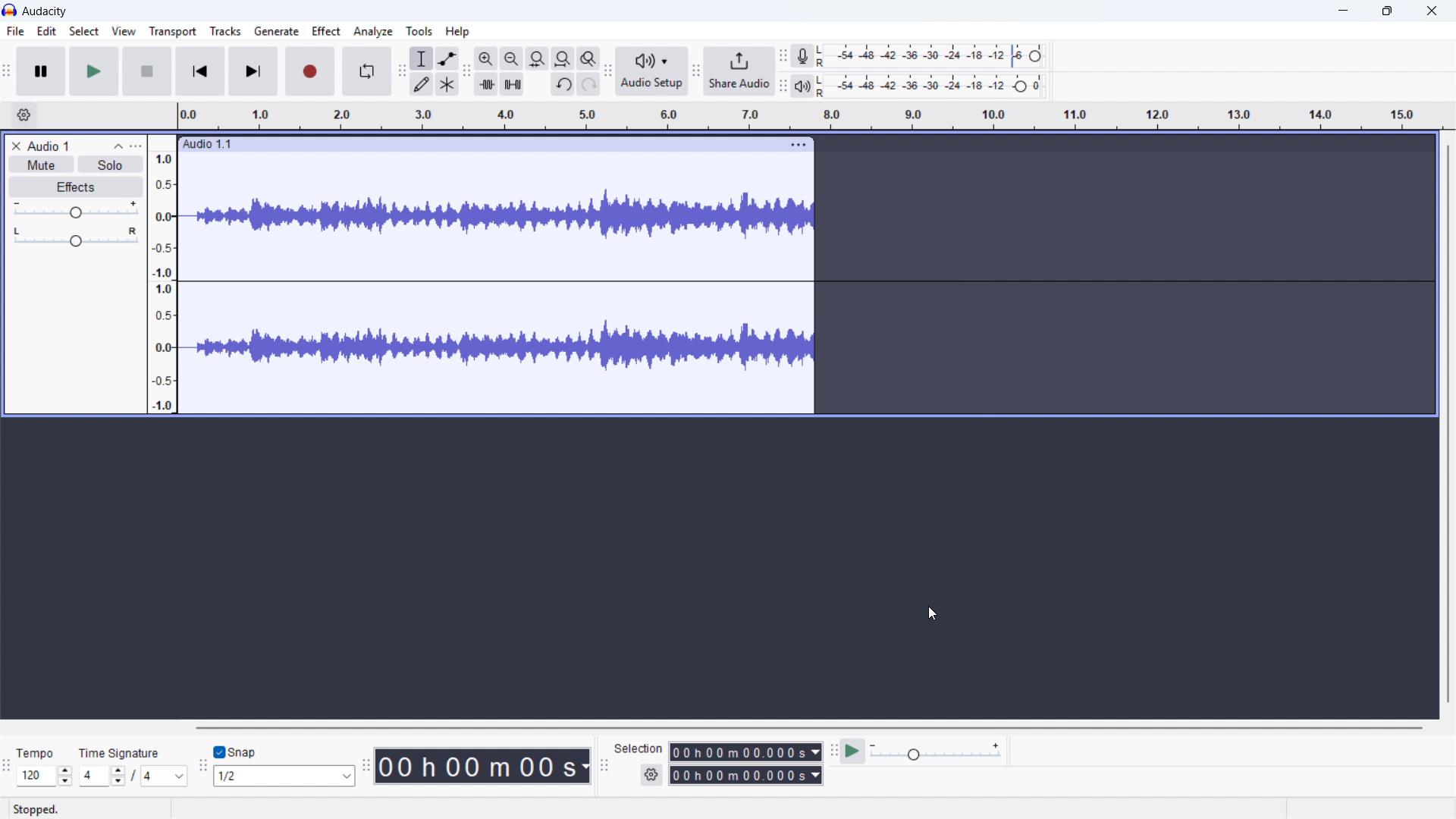  What do you see at coordinates (200, 71) in the screenshot?
I see `Skip to beginning ` at bounding box center [200, 71].